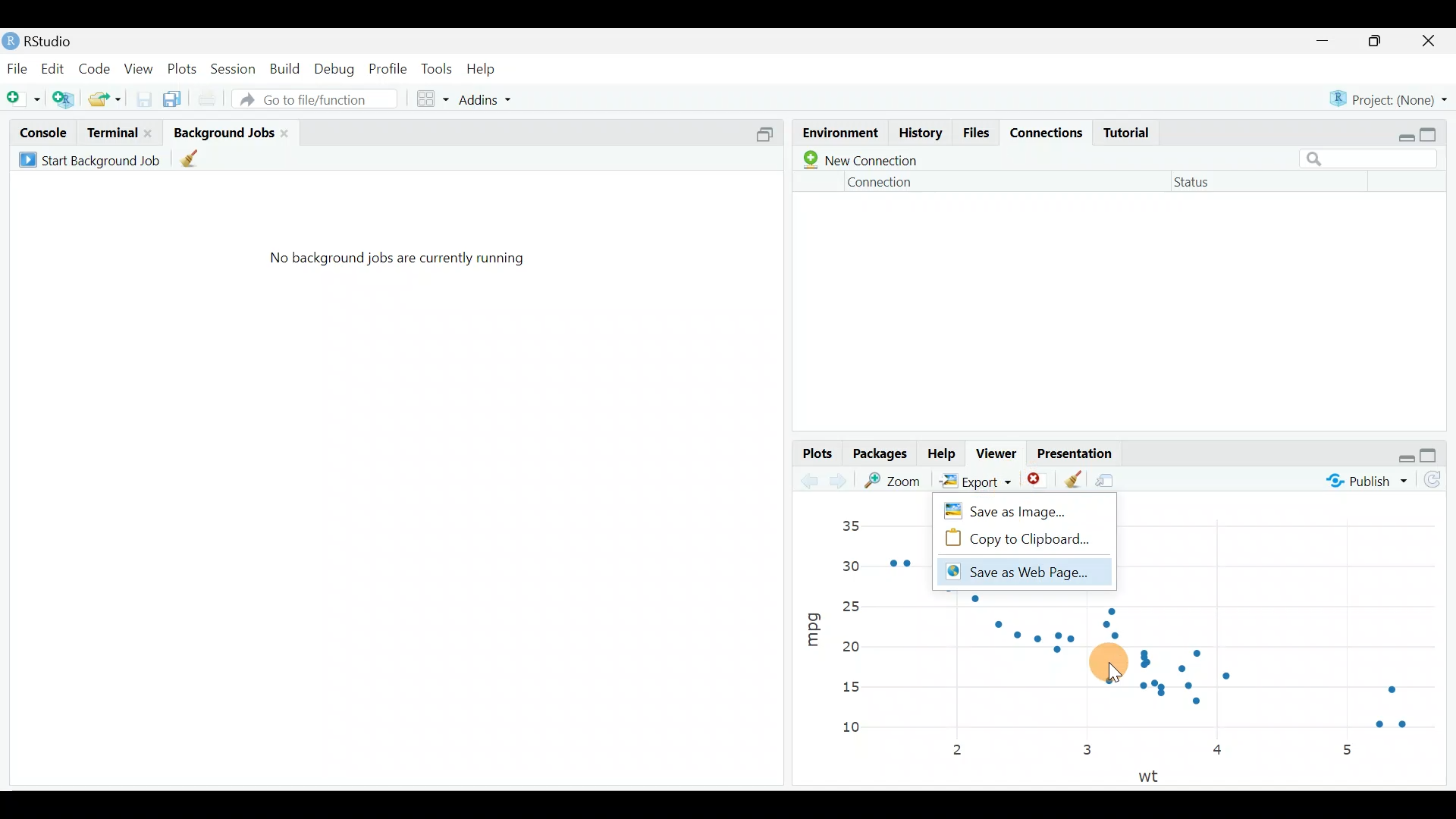 The image size is (1456, 819). What do you see at coordinates (1022, 538) in the screenshot?
I see `Copy to clipboard` at bounding box center [1022, 538].